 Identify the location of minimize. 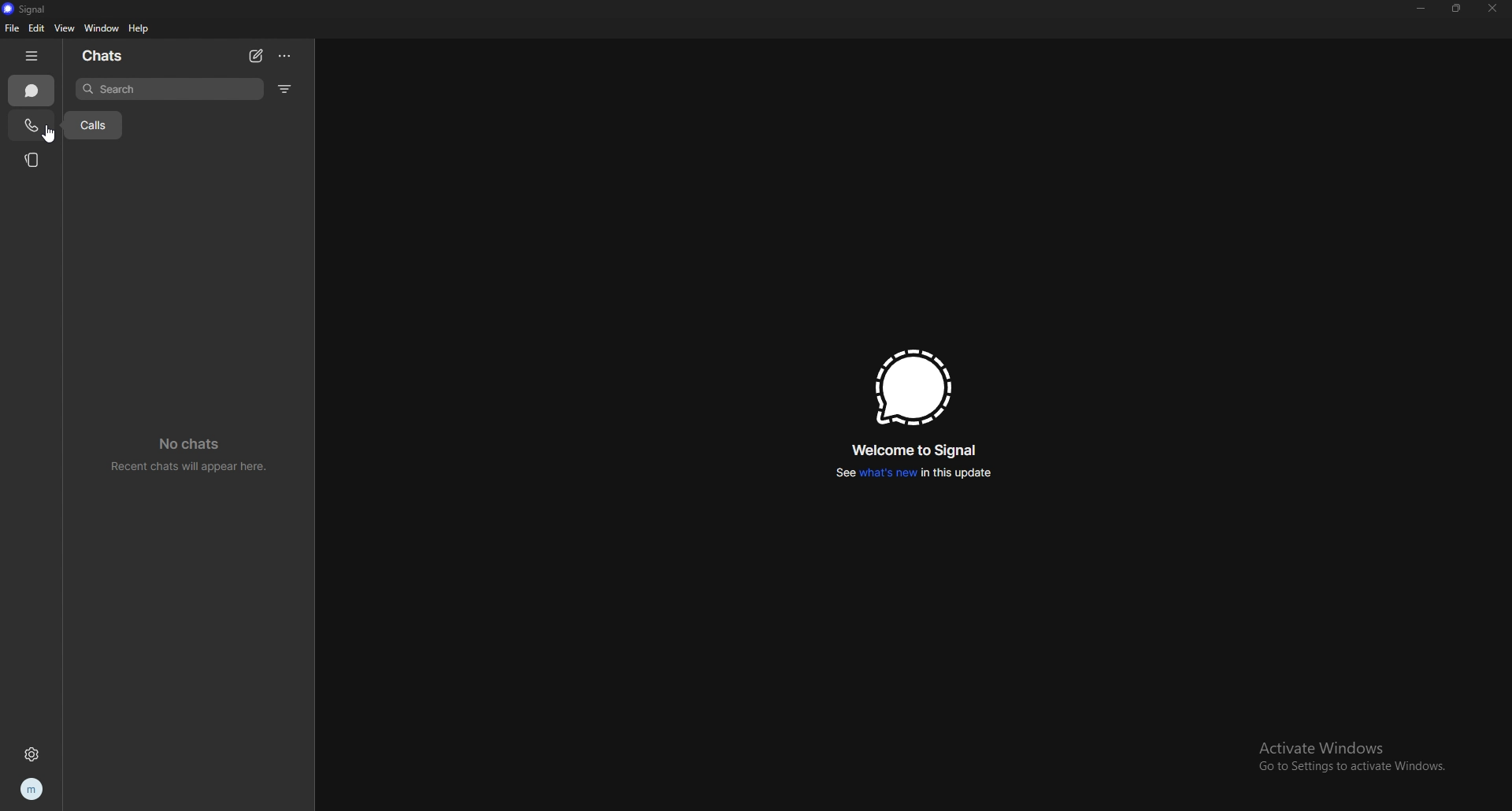
(1421, 9).